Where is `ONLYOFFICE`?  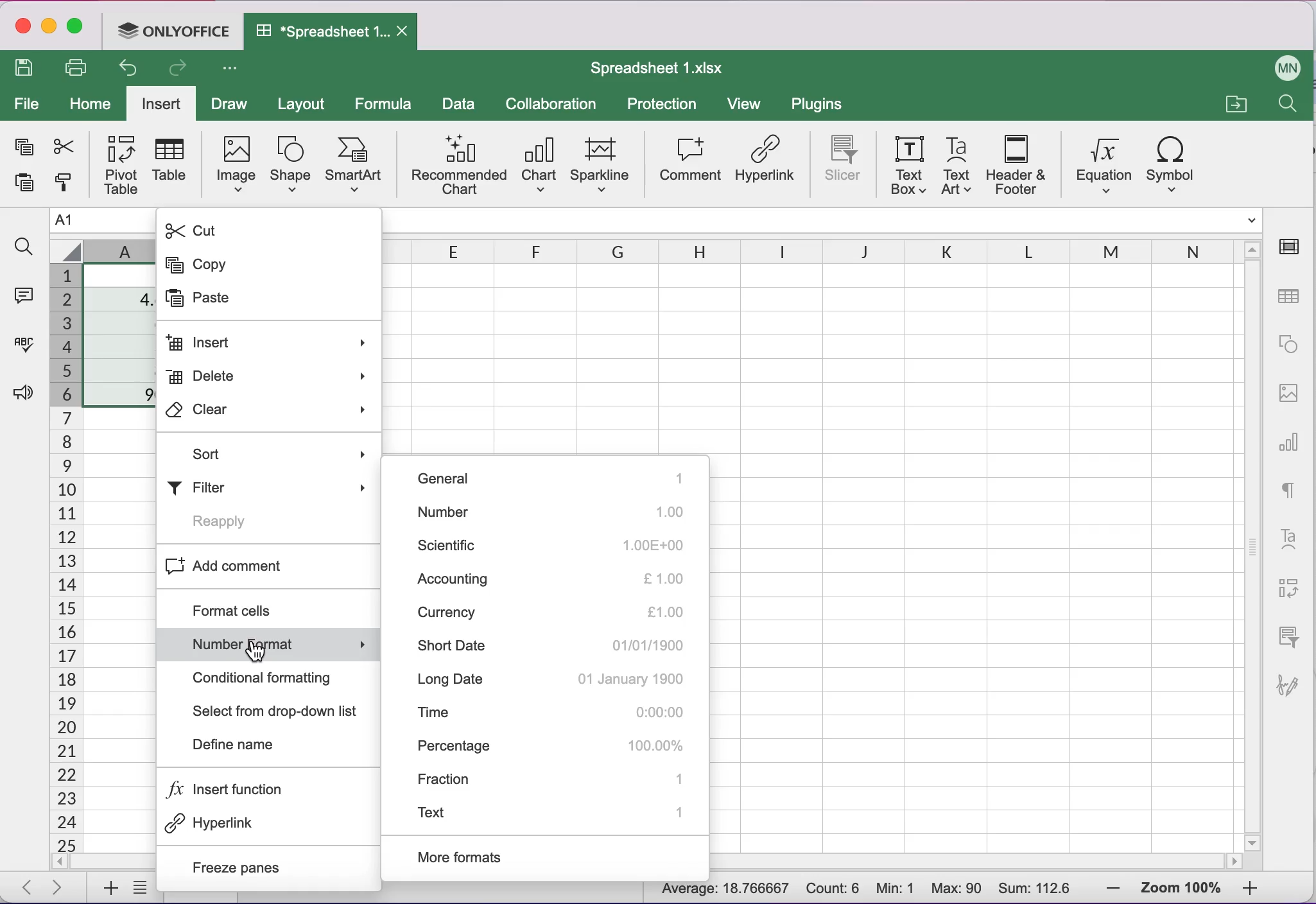 ONLYOFFICE is located at coordinates (175, 31).